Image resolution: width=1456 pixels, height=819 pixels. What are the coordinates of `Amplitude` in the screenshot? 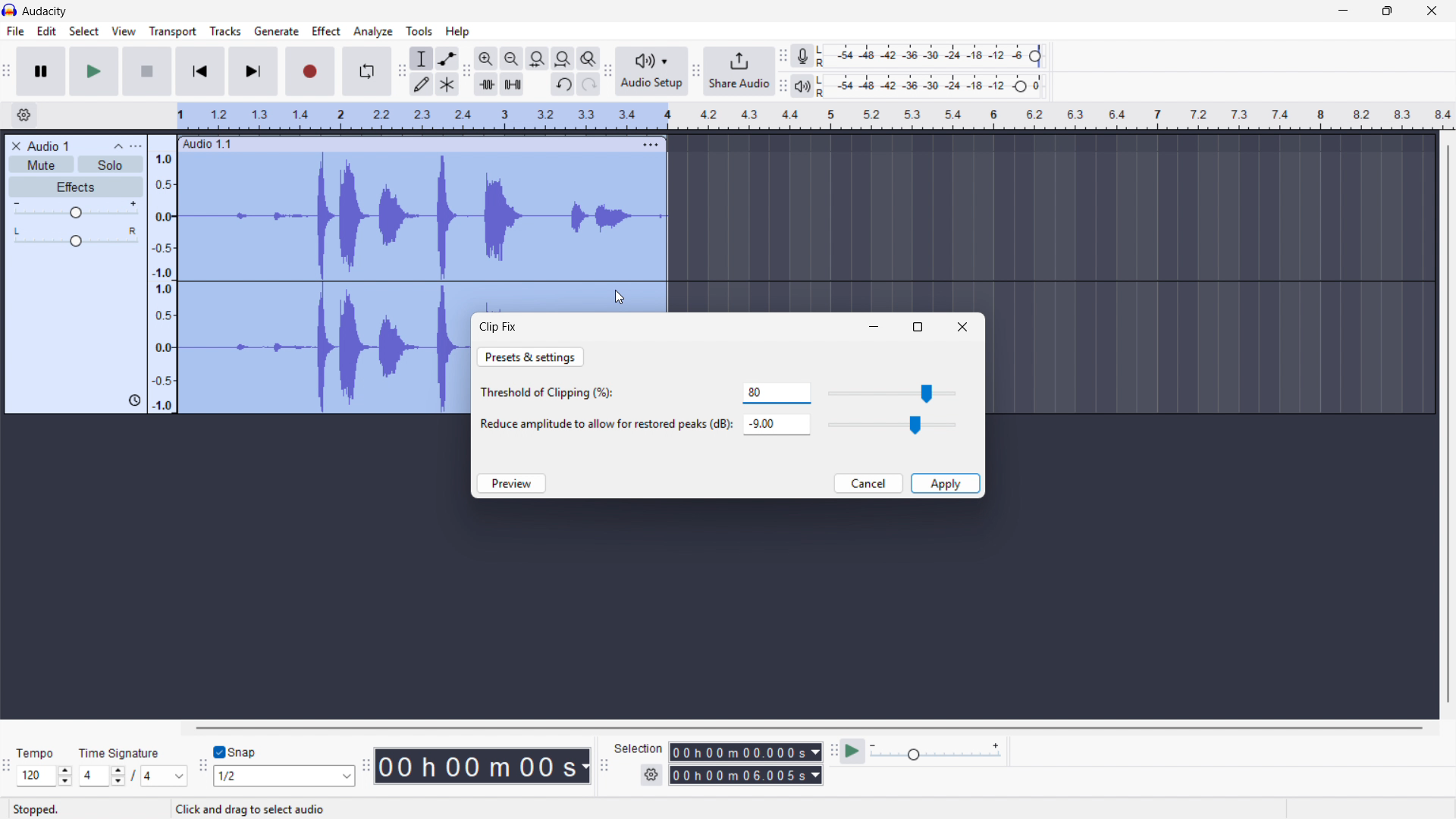 It's located at (162, 275).